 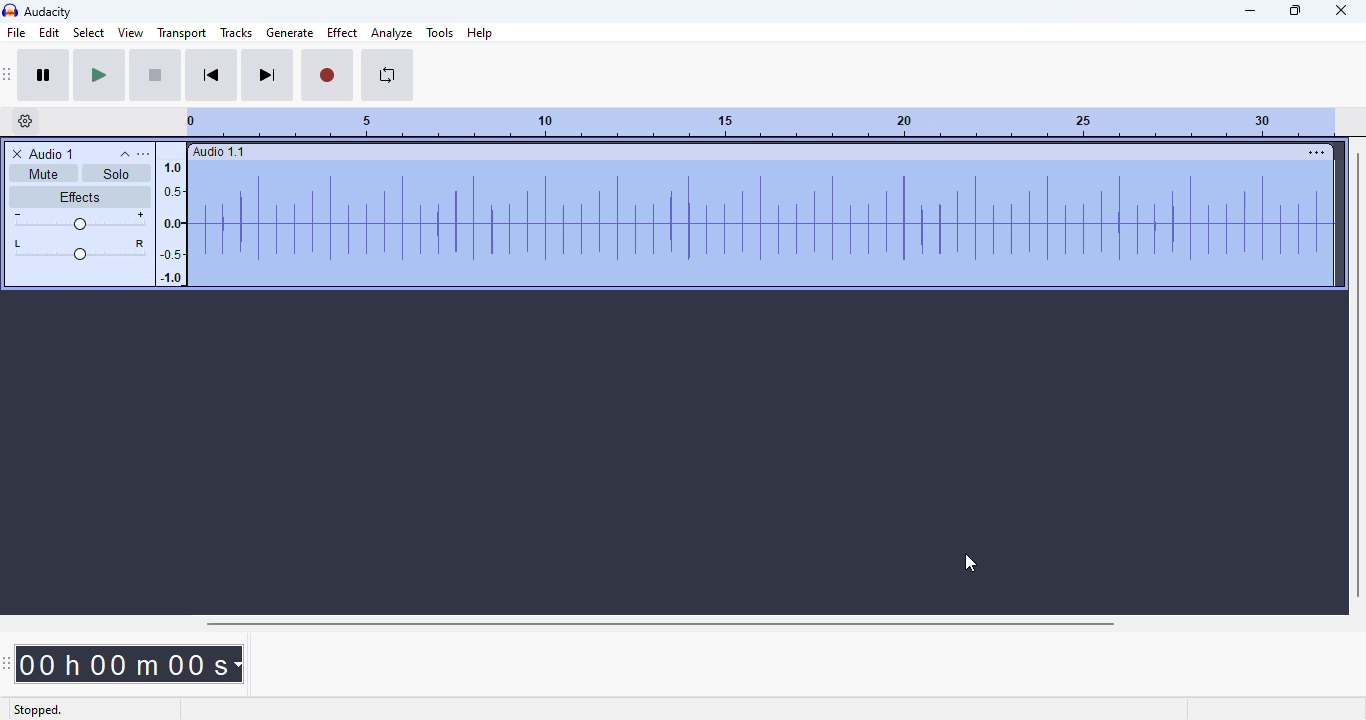 What do you see at coordinates (392, 33) in the screenshot?
I see `analyze` at bounding box center [392, 33].